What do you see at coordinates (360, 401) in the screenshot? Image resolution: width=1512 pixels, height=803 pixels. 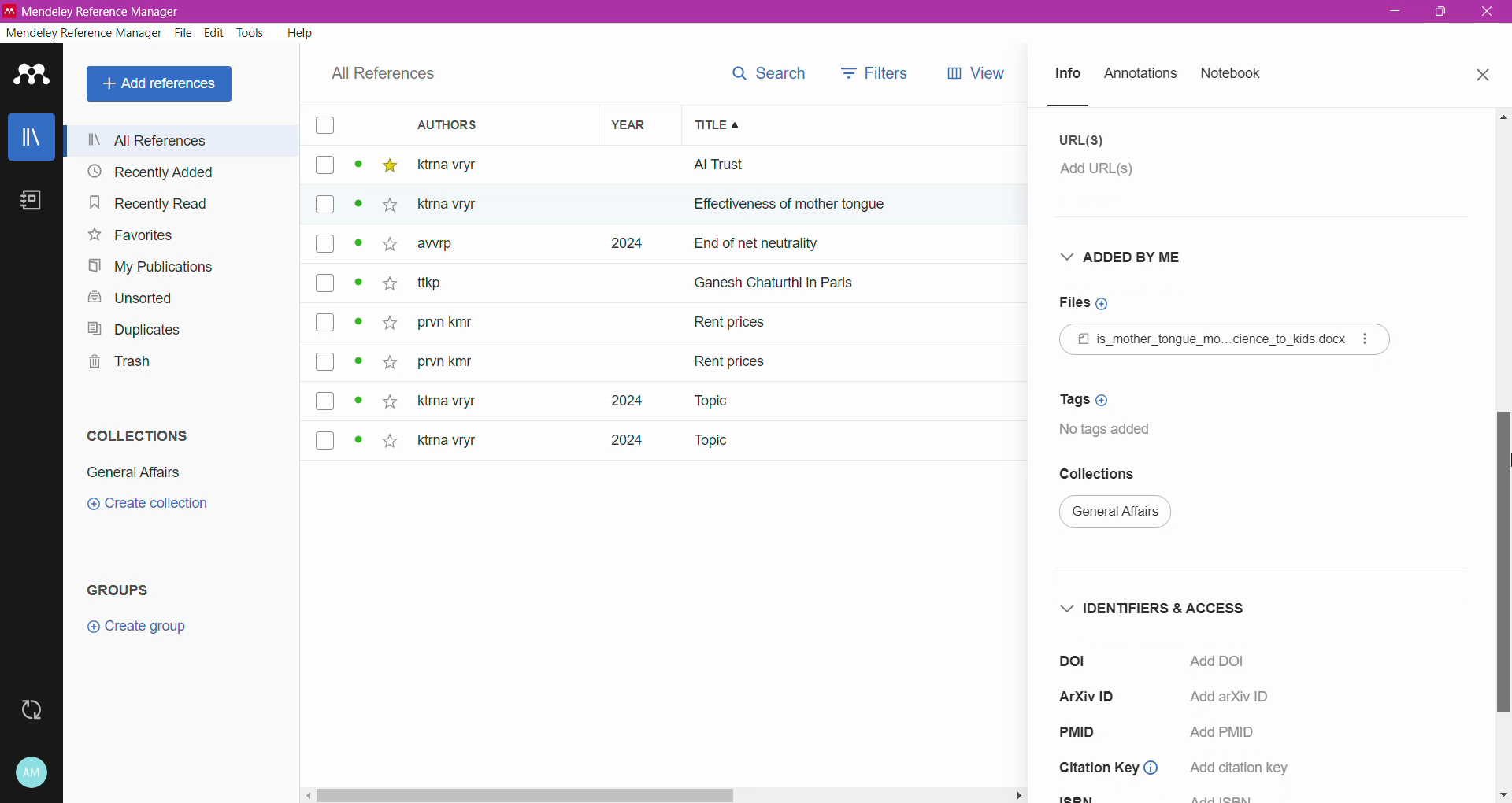 I see `dot ` at bounding box center [360, 401].